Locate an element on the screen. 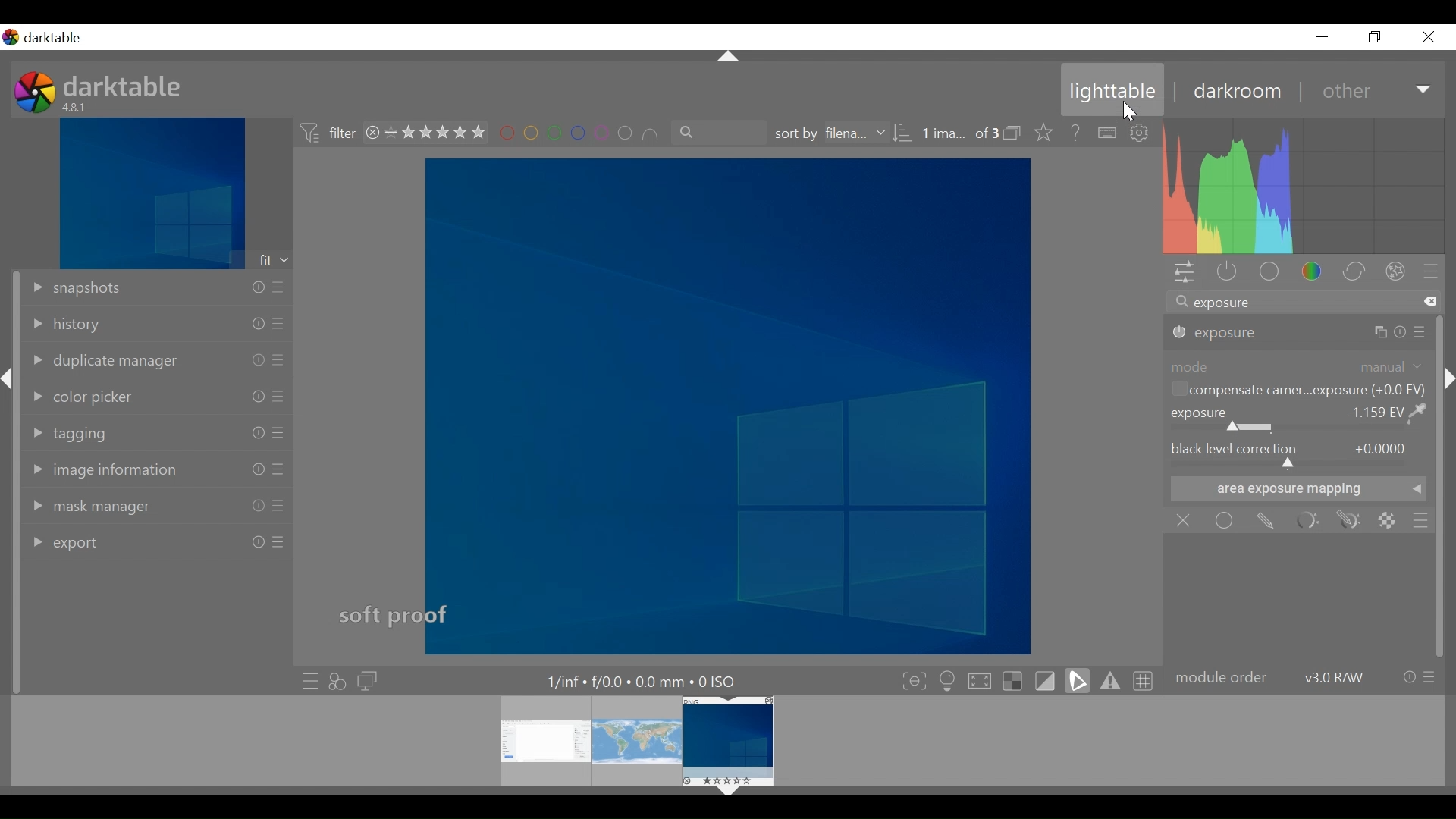  duplicate manager is located at coordinates (102, 362).